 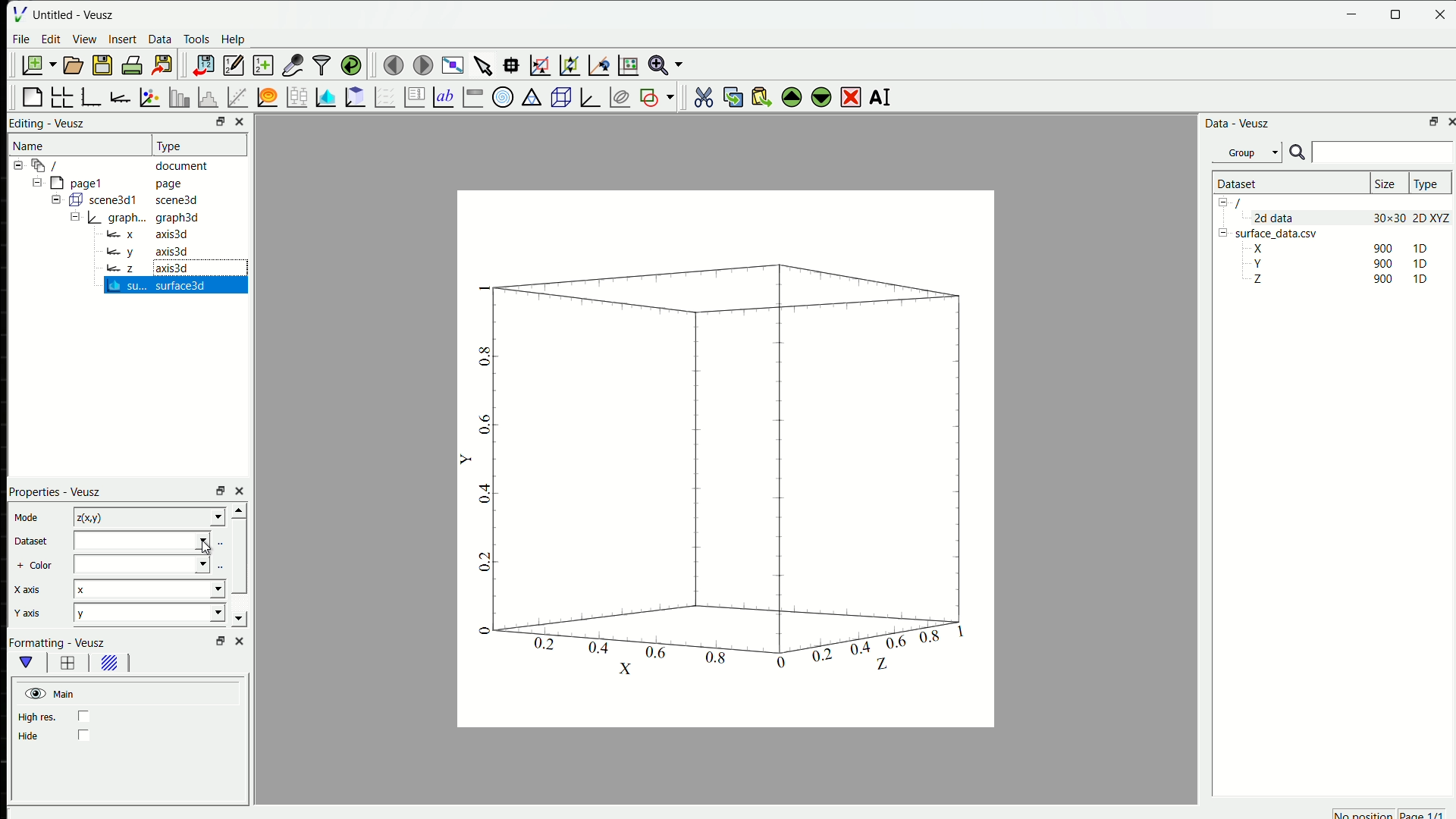 What do you see at coordinates (240, 491) in the screenshot?
I see `close` at bounding box center [240, 491].